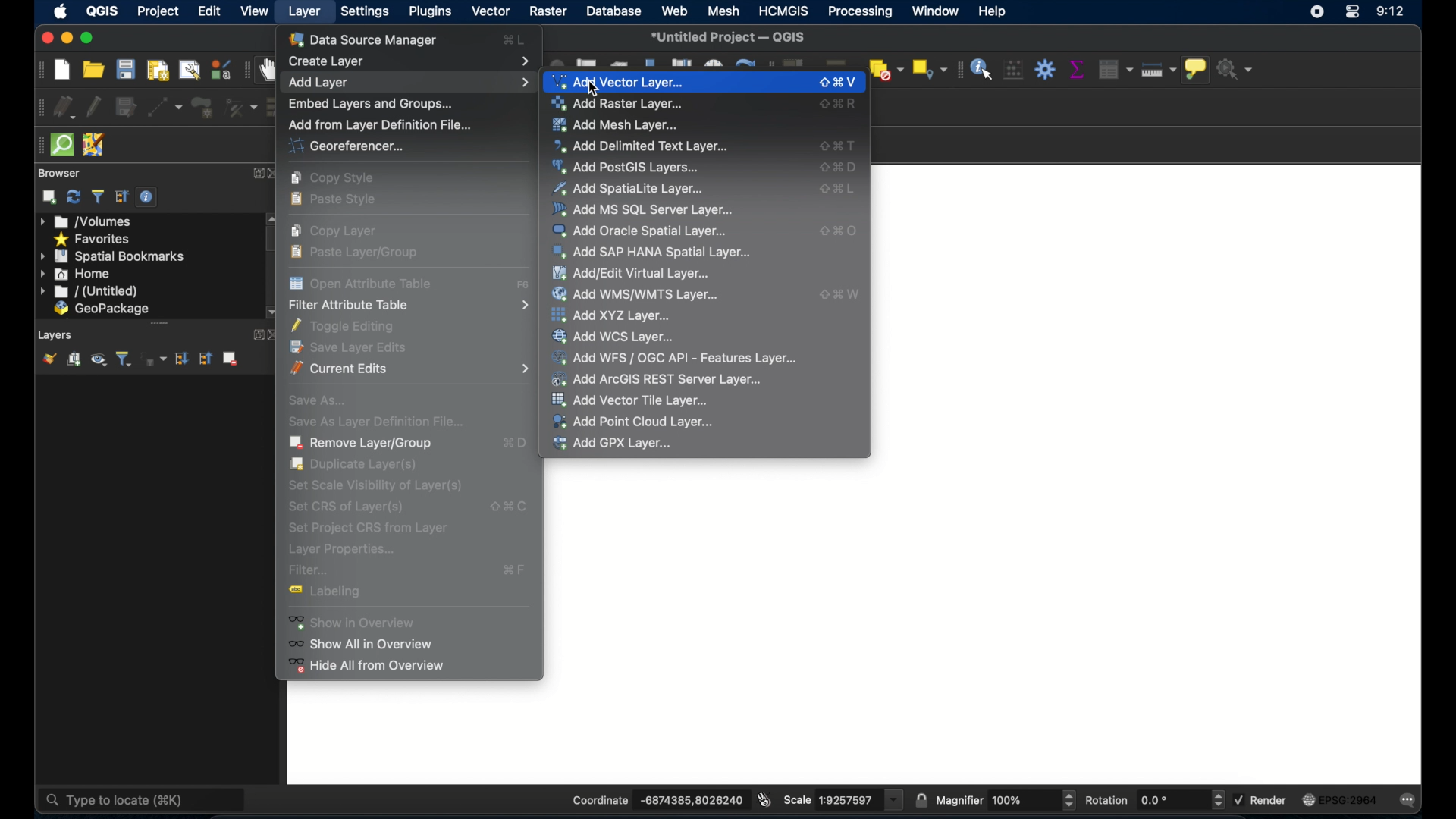 The image size is (1456, 819). I want to click on enable/disable properties widget, so click(149, 199).